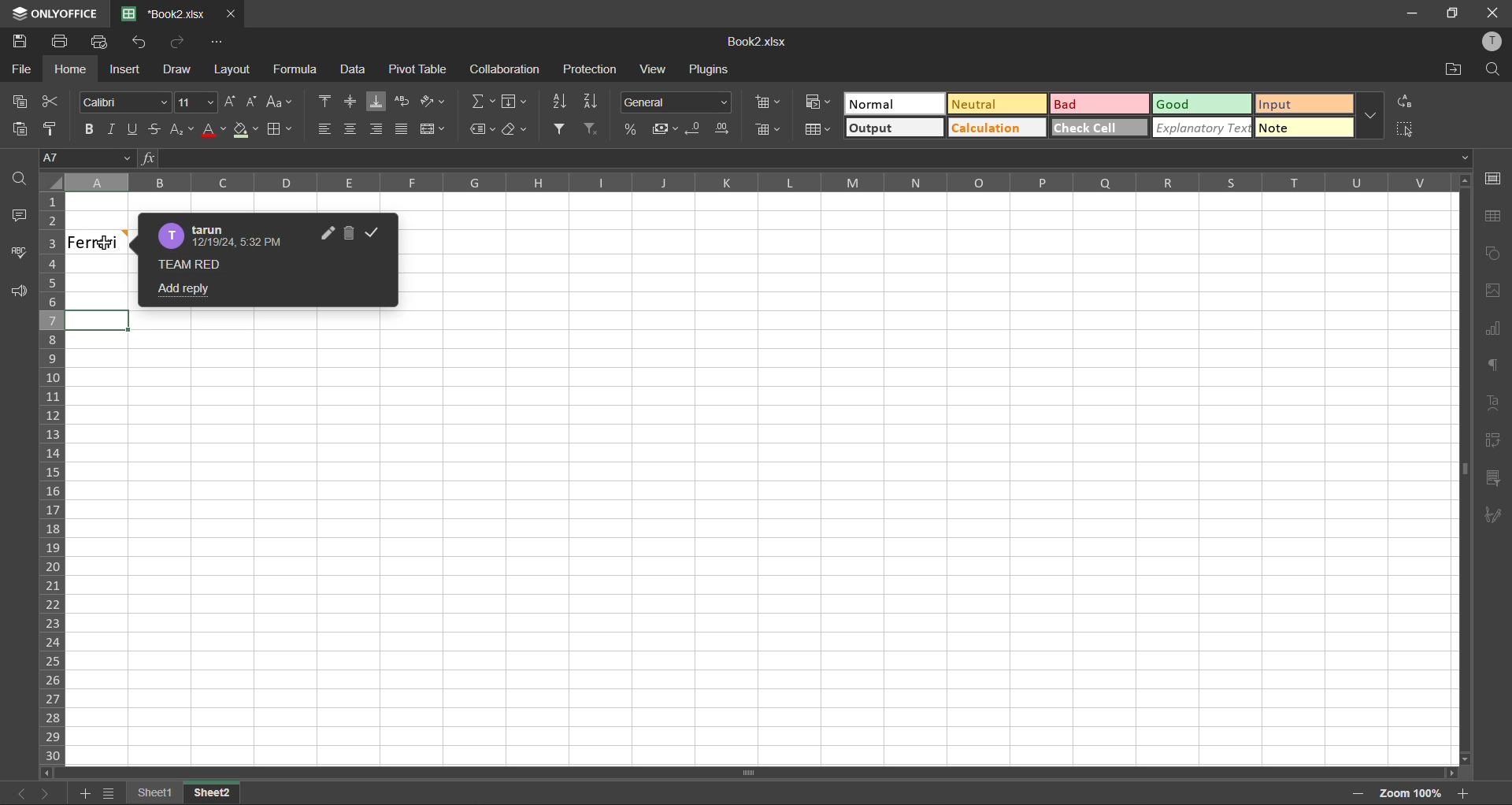 This screenshot has width=1512, height=805. Describe the element at coordinates (724, 129) in the screenshot. I see `increase decimal` at that location.